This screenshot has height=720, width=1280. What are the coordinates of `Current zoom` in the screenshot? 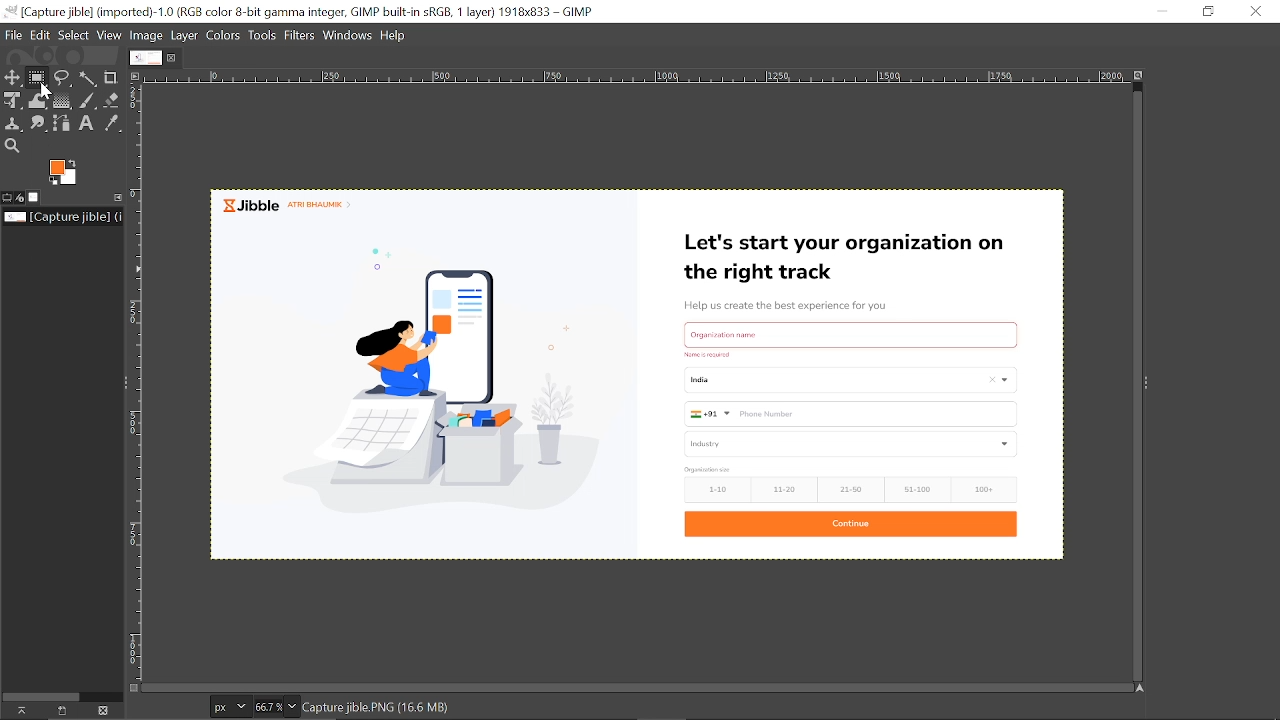 It's located at (266, 707).